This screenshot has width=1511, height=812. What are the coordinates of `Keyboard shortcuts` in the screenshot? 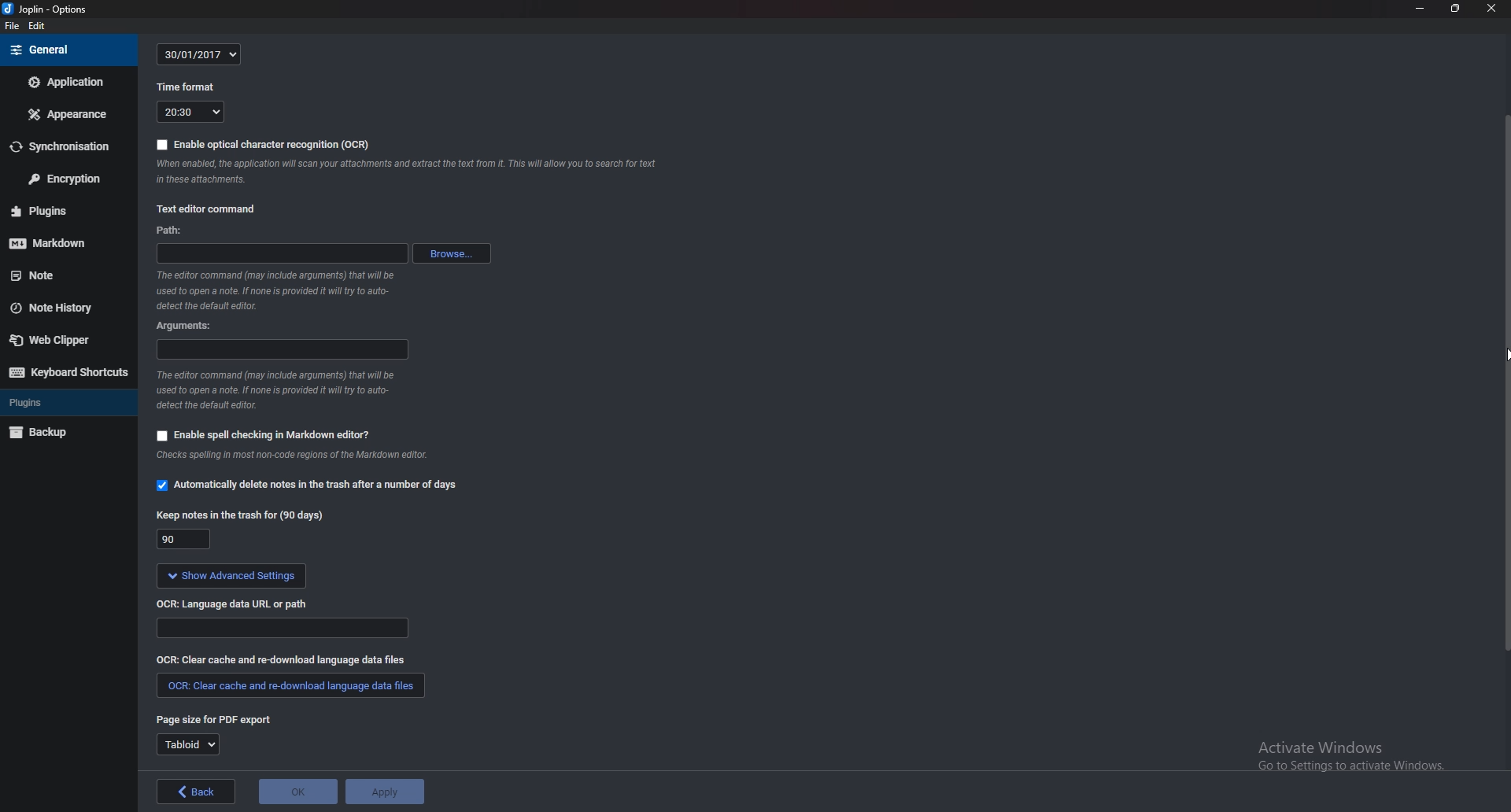 It's located at (68, 372).